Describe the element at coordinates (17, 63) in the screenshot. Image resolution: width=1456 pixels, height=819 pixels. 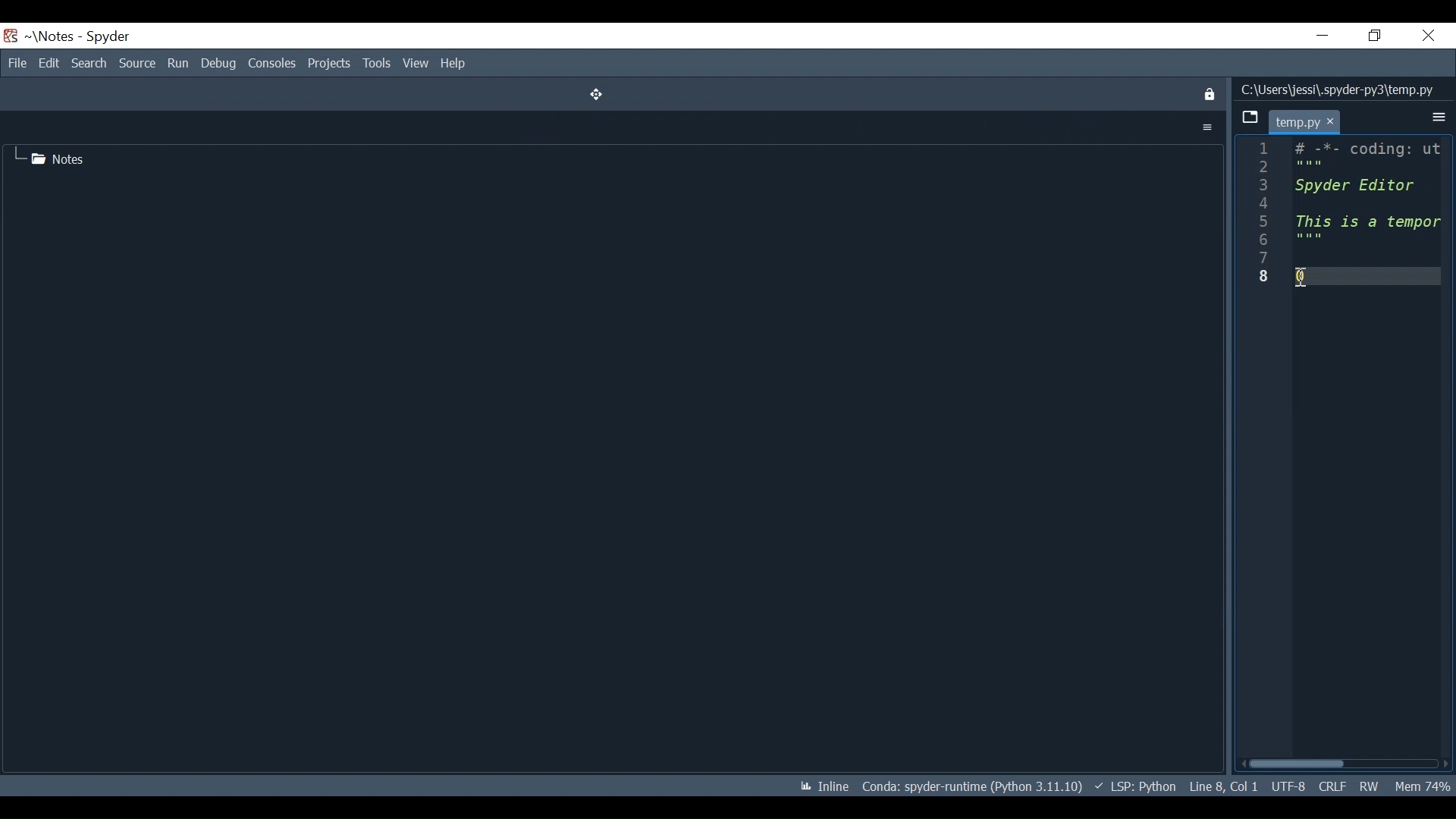
I see `File` at that location.